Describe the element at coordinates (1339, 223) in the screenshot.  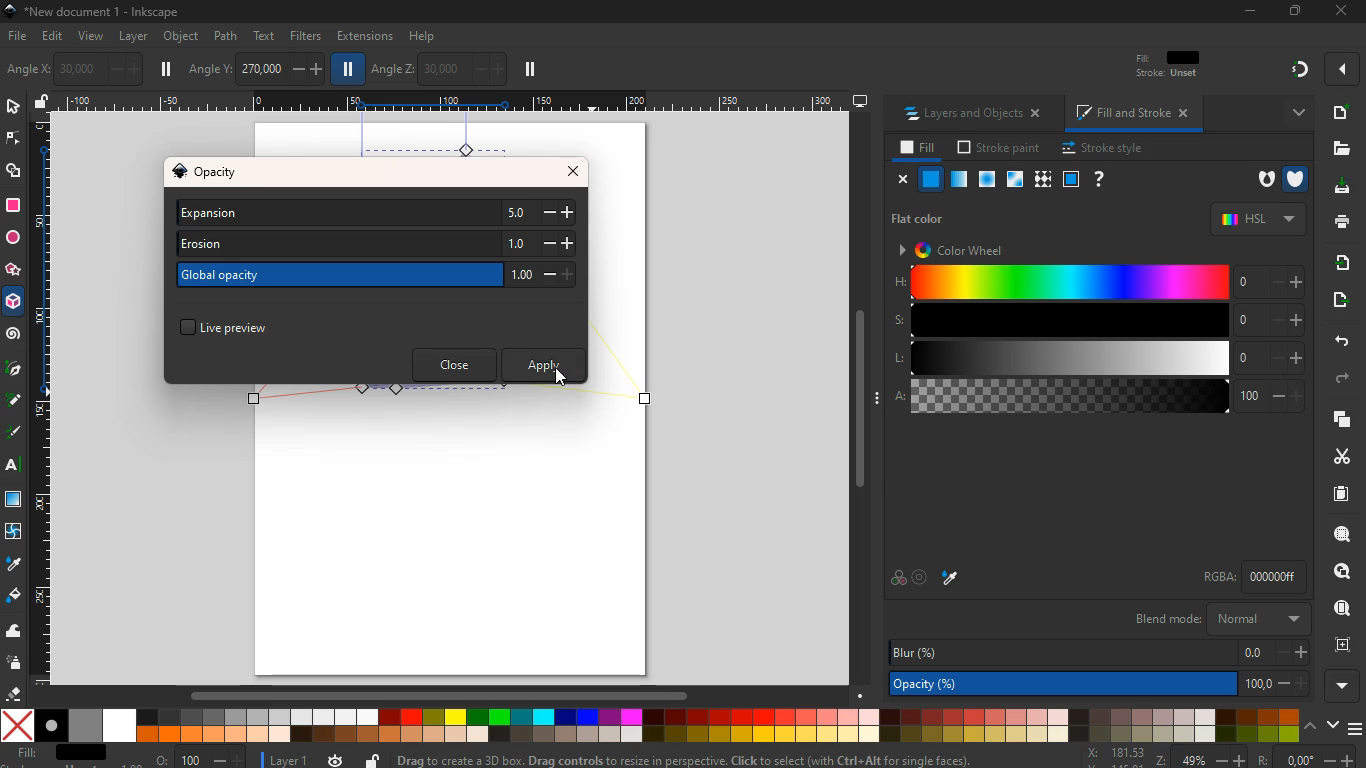
I see `print` at that location.